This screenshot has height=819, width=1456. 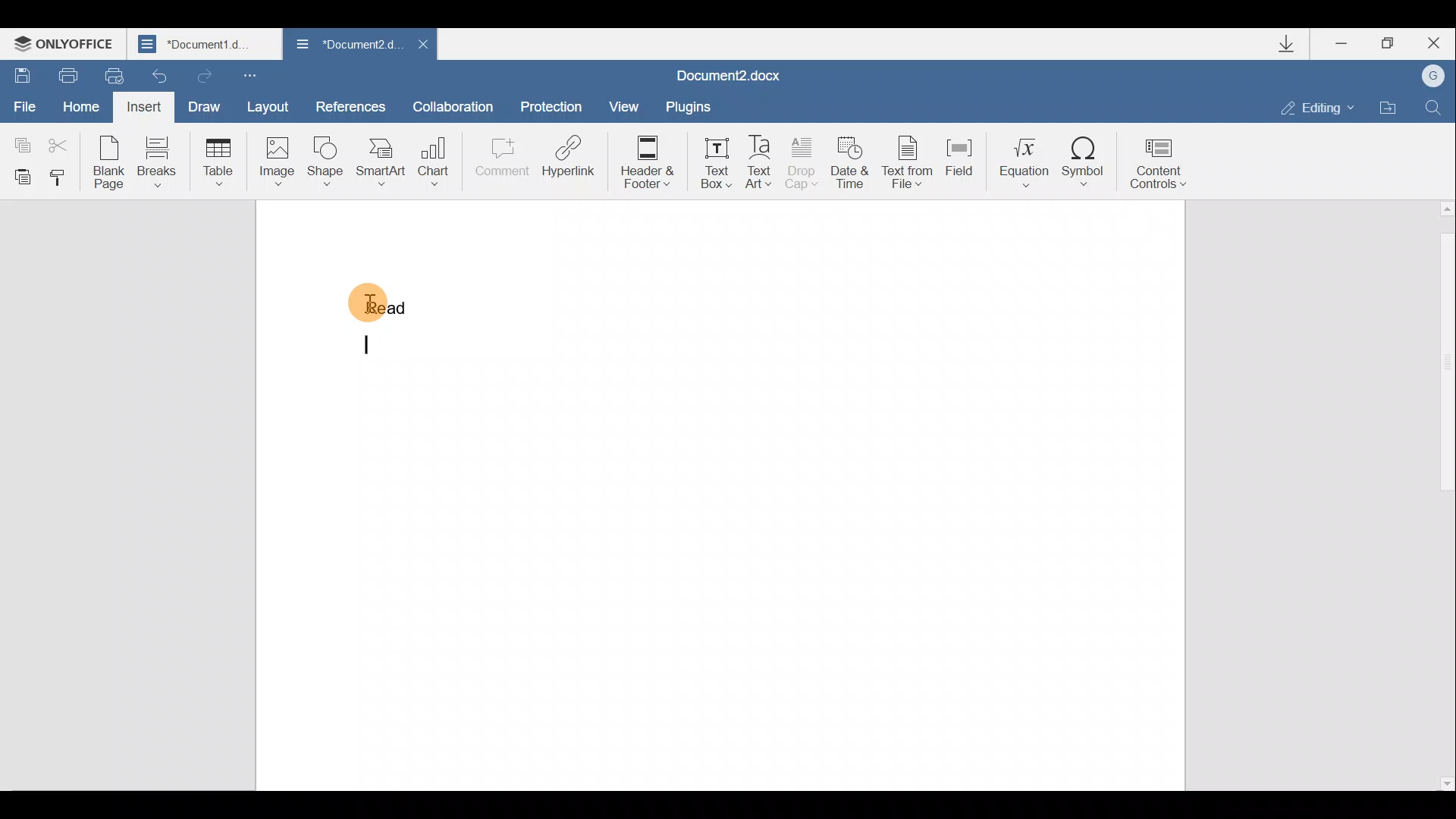 What do you see at coordinates (1162, 167) in the screenshot?
I see `Content controls` at bounding box center [1162, 167].